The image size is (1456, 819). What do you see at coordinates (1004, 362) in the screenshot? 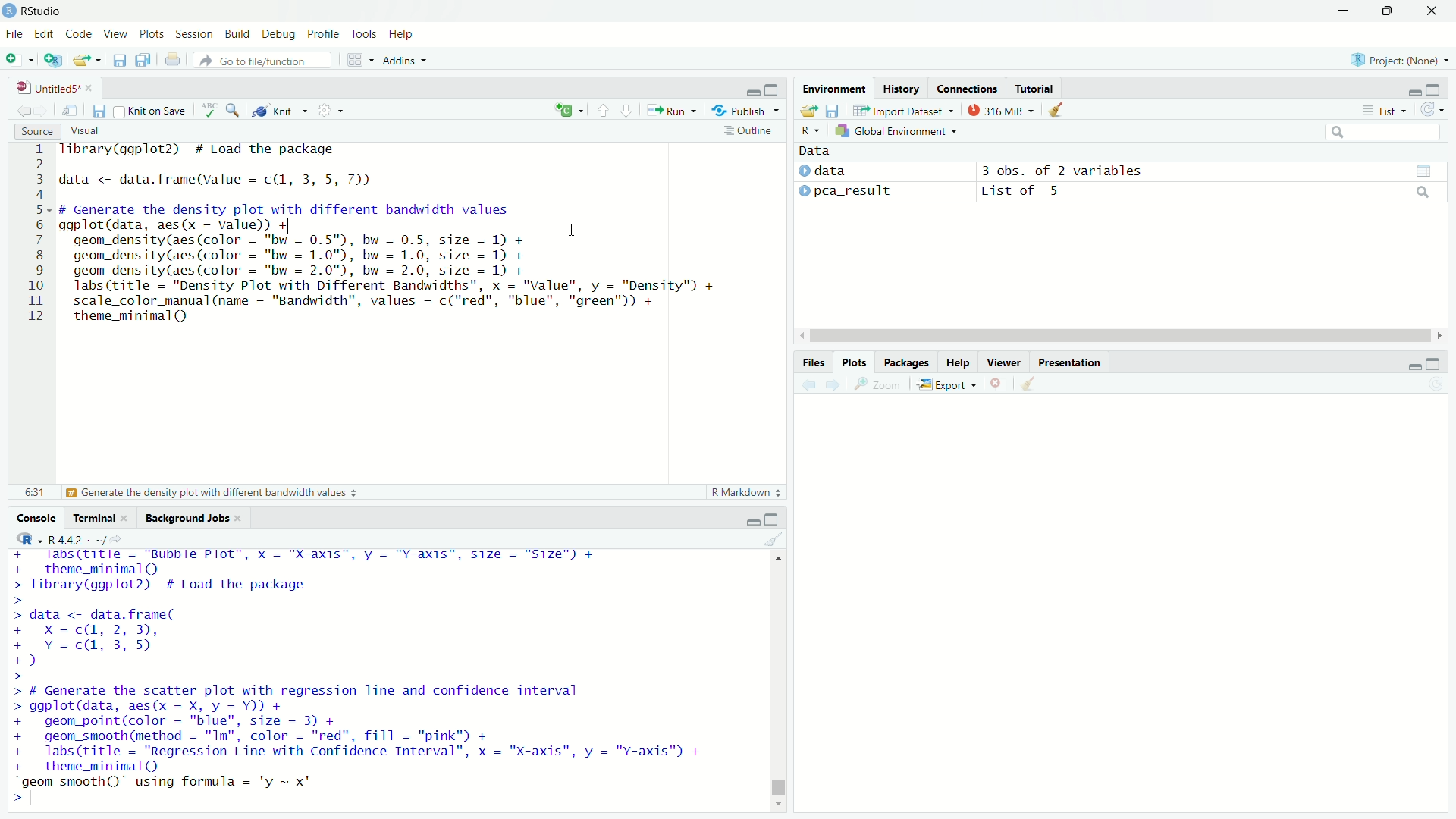
I see `Viewer` at bounding box center [1004, 362].